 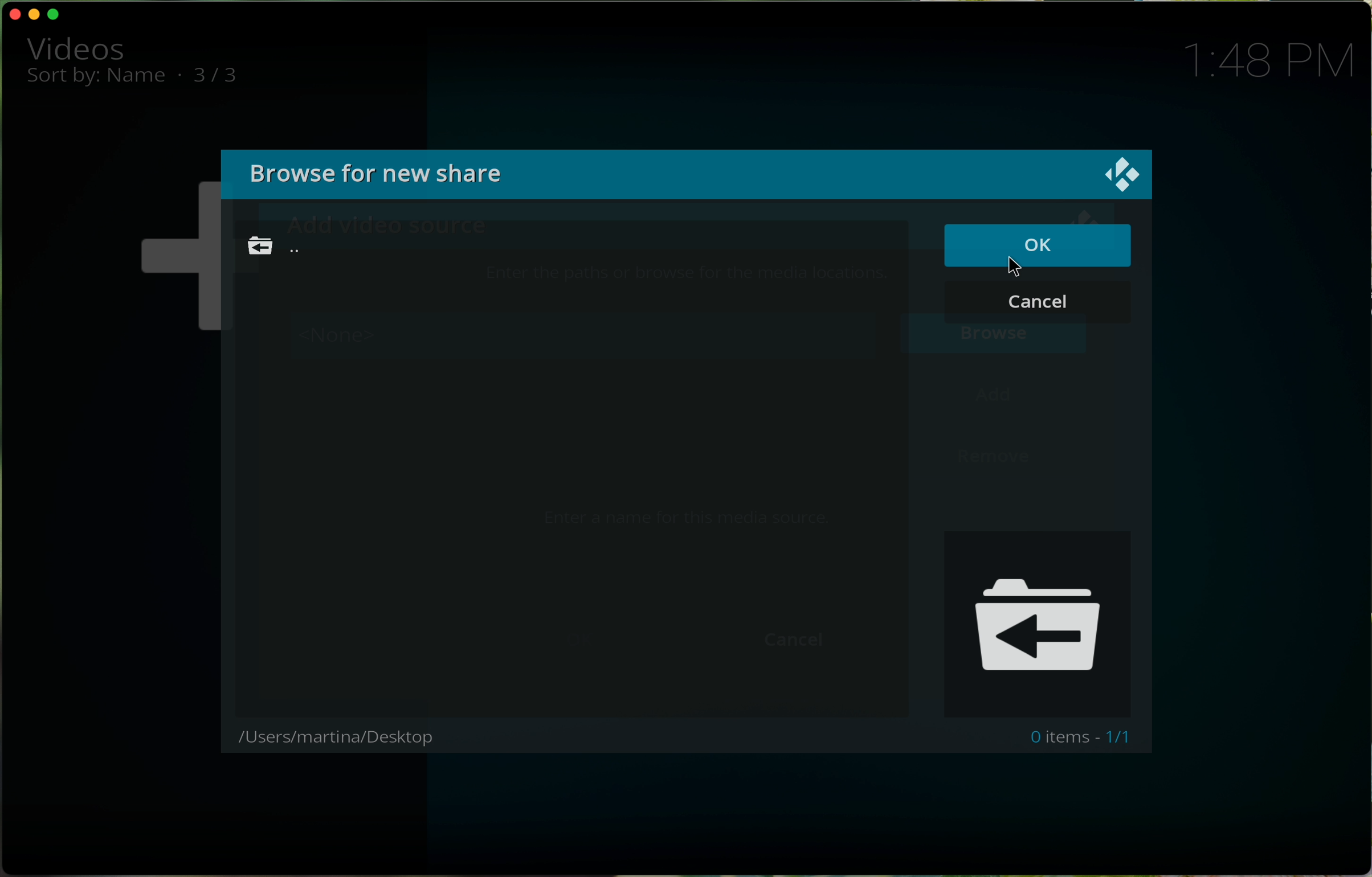 What do you see at coordinates (36, 13) in the screenshot?
I see `minimise` at bounding box center [36, 13].